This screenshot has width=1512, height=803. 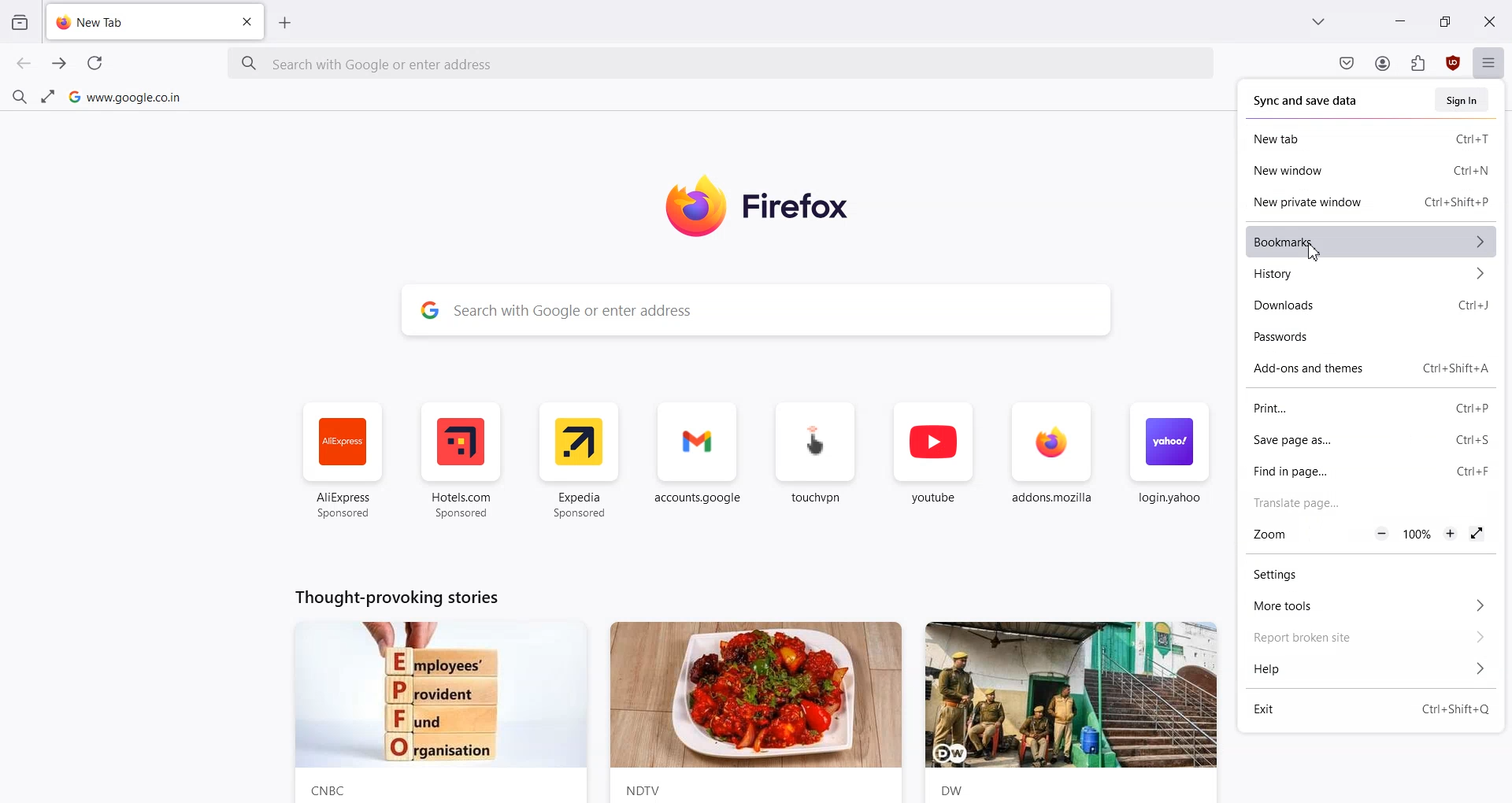 I want to click on Sign in, so click(x=1464, y=100).